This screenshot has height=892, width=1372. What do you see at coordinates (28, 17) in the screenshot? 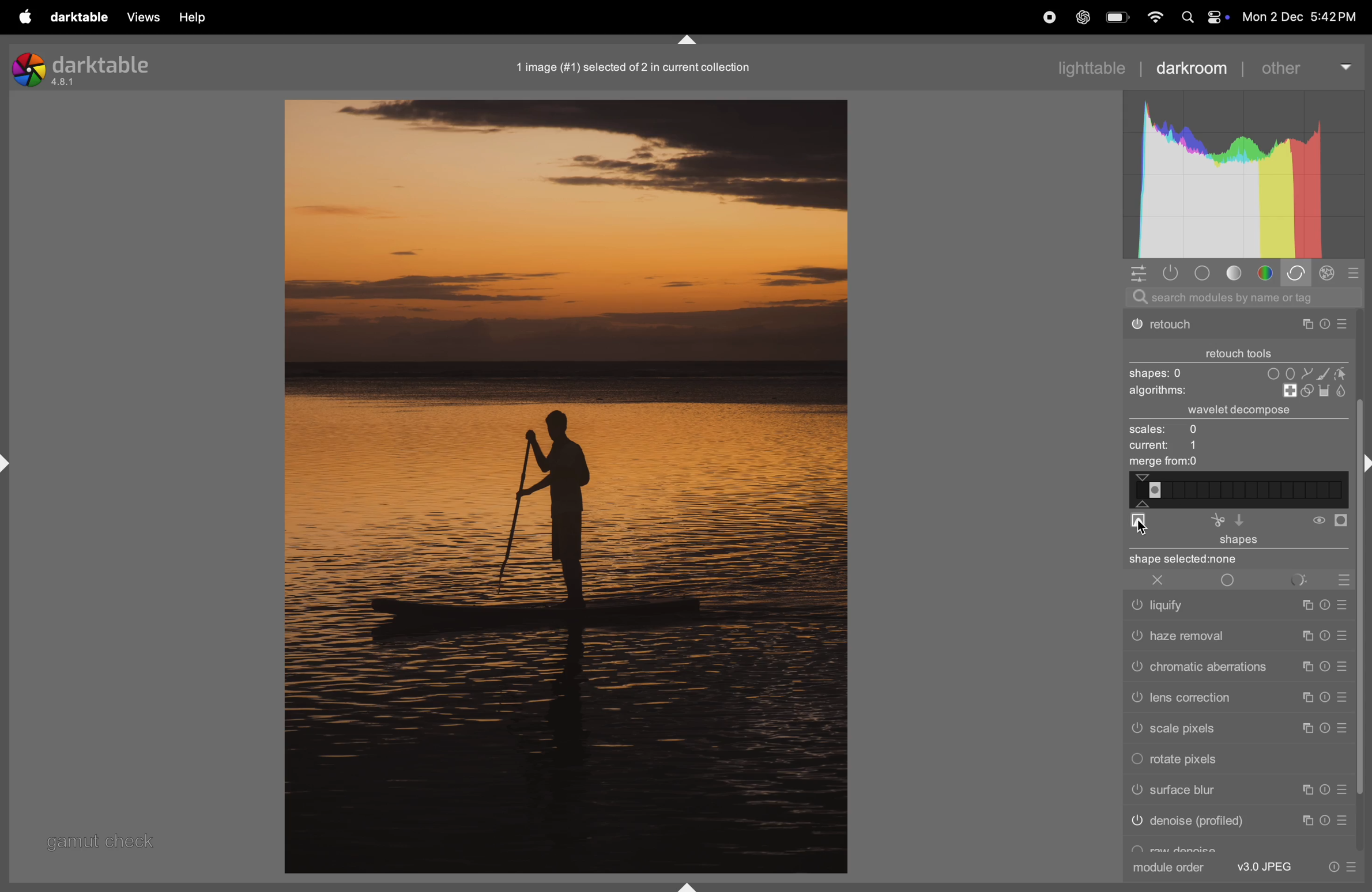
I see `apple menu` at bounding box center [28, 17].